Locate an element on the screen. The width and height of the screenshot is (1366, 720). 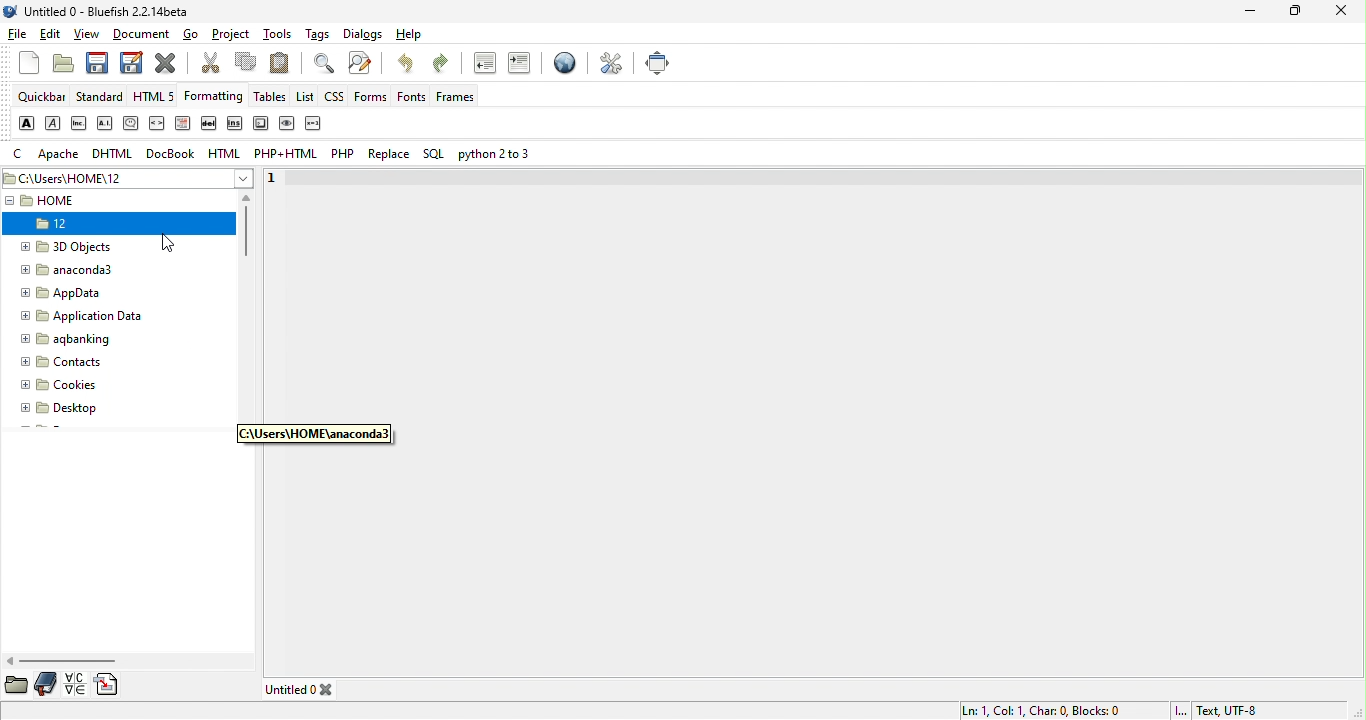
ln 1, col 1,char 0, blocks 0 is located at coordinates (1042, 708).